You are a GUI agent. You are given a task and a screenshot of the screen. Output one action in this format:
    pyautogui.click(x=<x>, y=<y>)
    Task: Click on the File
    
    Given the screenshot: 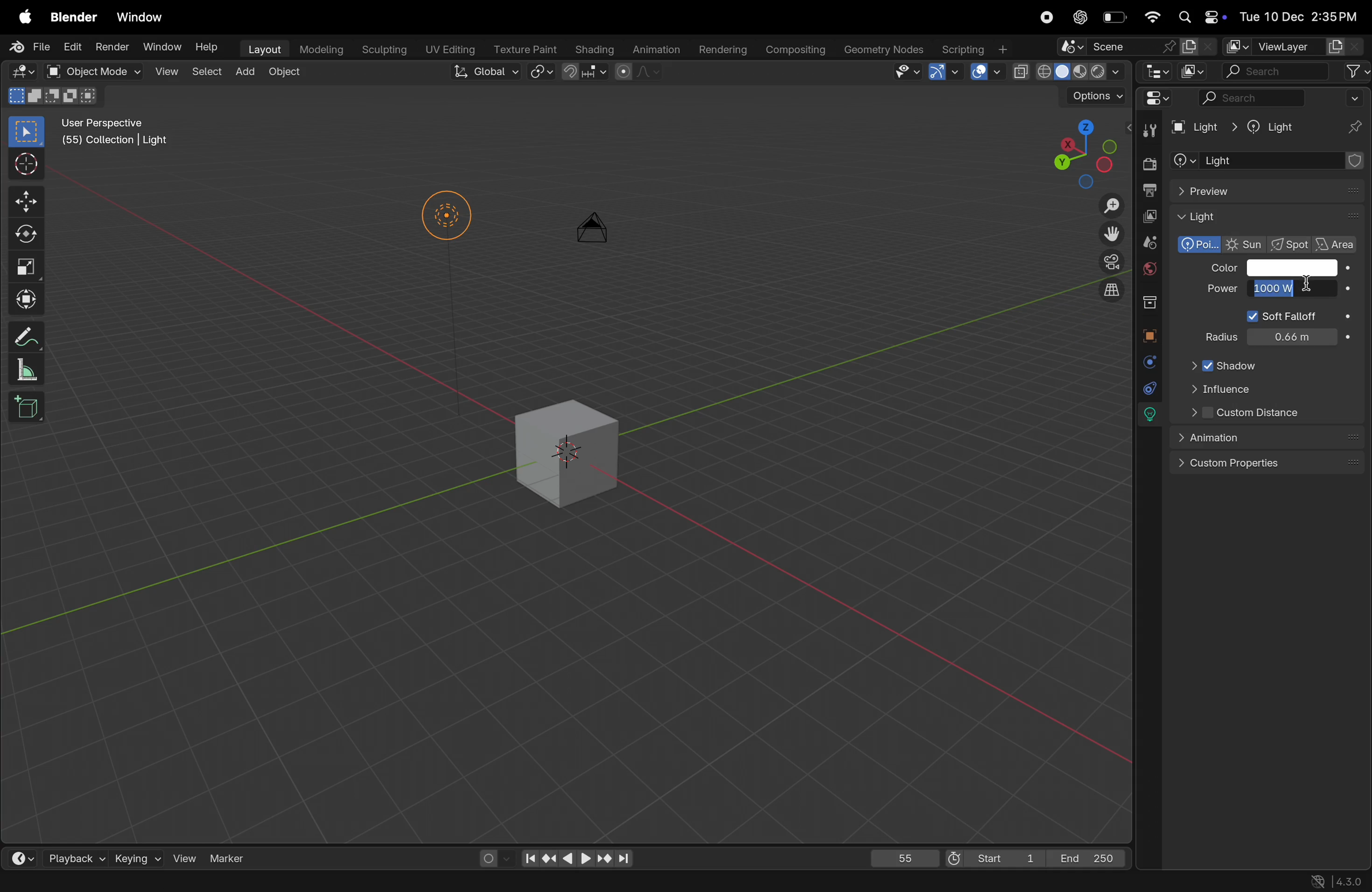 What is the action you would take?
    pyautogui.click(x=28, y=47)
    